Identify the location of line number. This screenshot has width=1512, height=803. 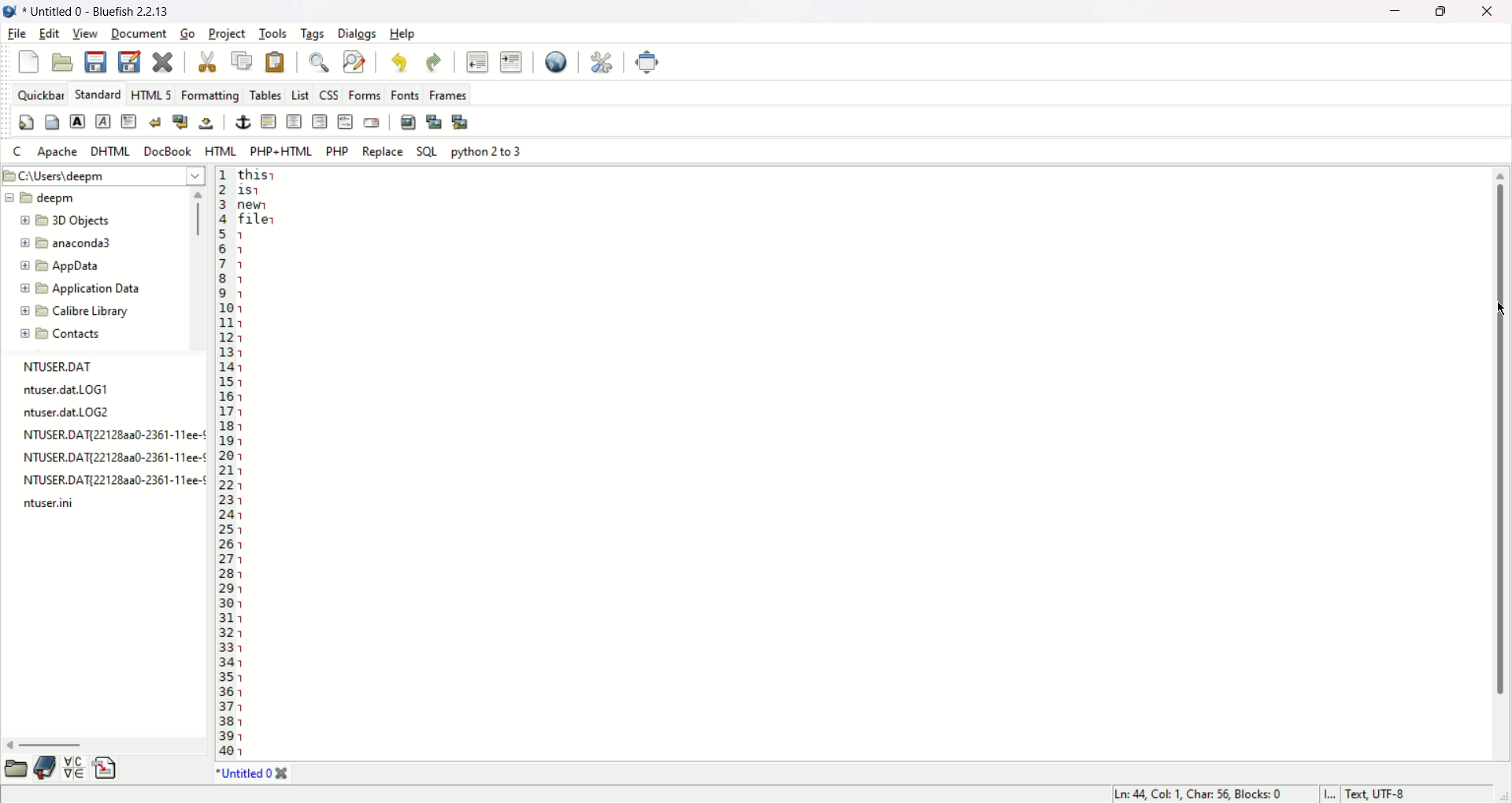
(225, 463).